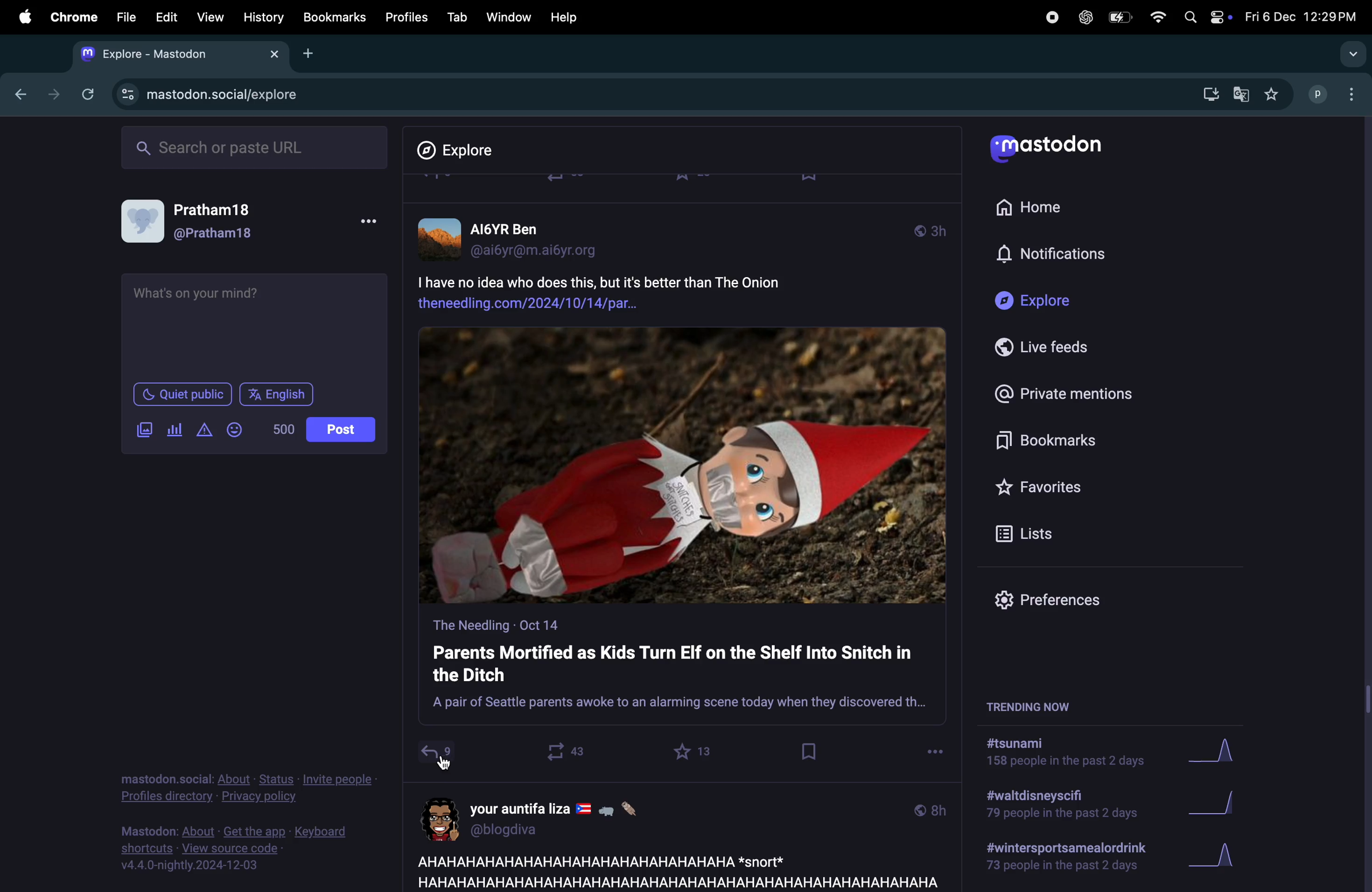 This screenshot has height=892, width=1372. Describe the element at coordinates (367, 225) in the screenshot. I see `options` at that location.